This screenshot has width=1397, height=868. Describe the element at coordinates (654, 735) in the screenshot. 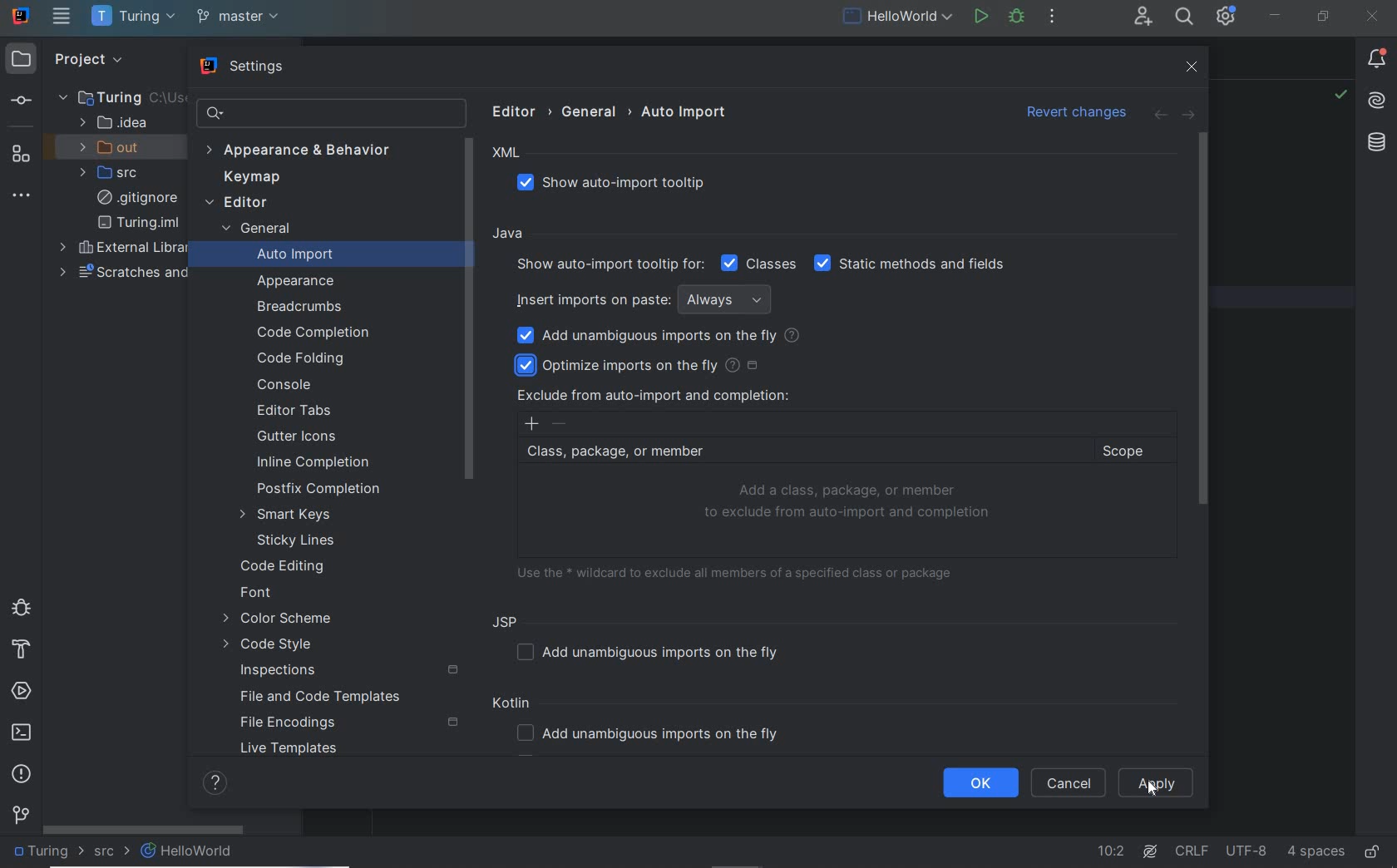

I see `ADD UNAMBIGUOUS IMPORTS ON THE FLY` at that location.